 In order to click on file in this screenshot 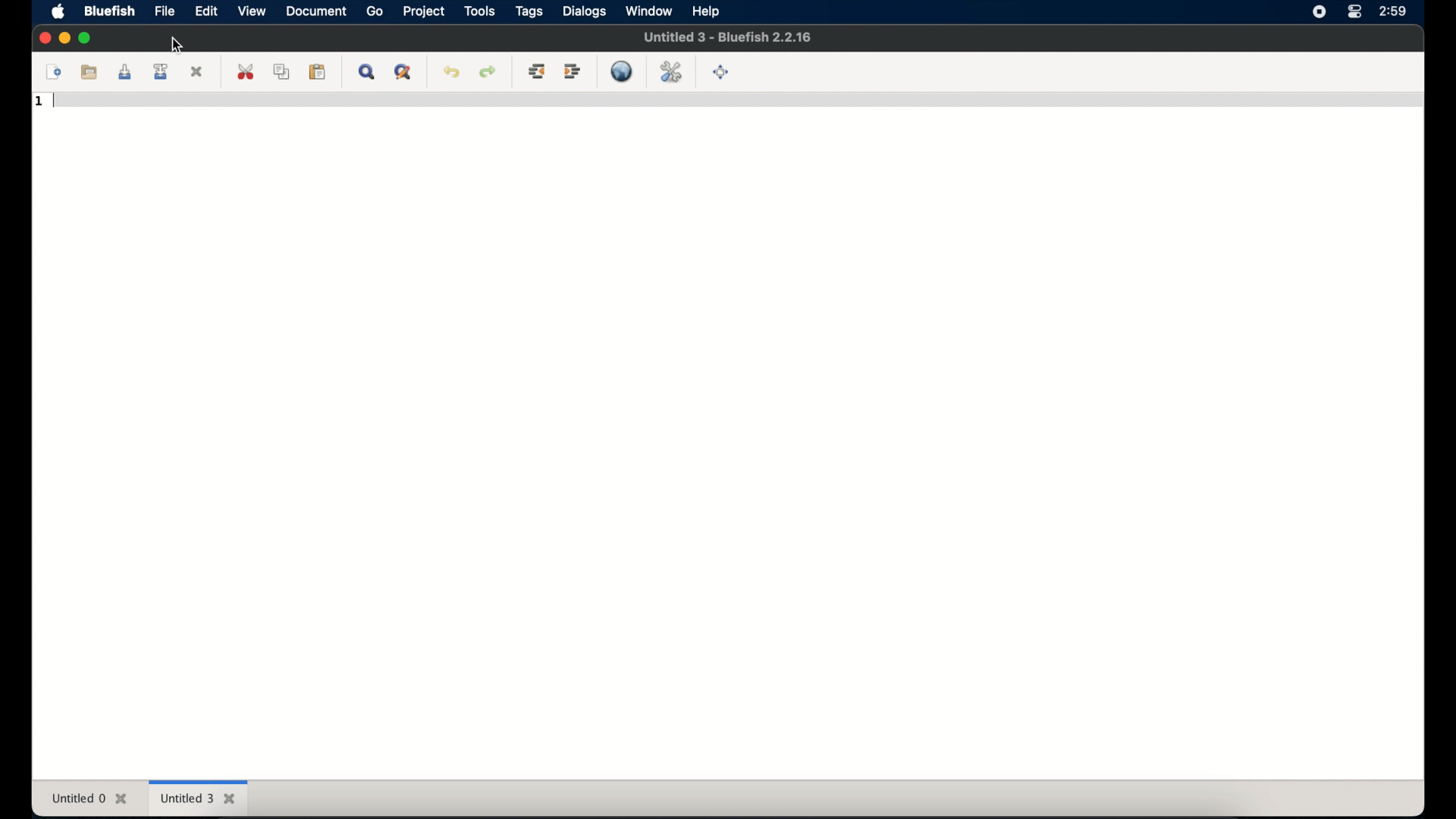, I will do `click(165, 11)`.